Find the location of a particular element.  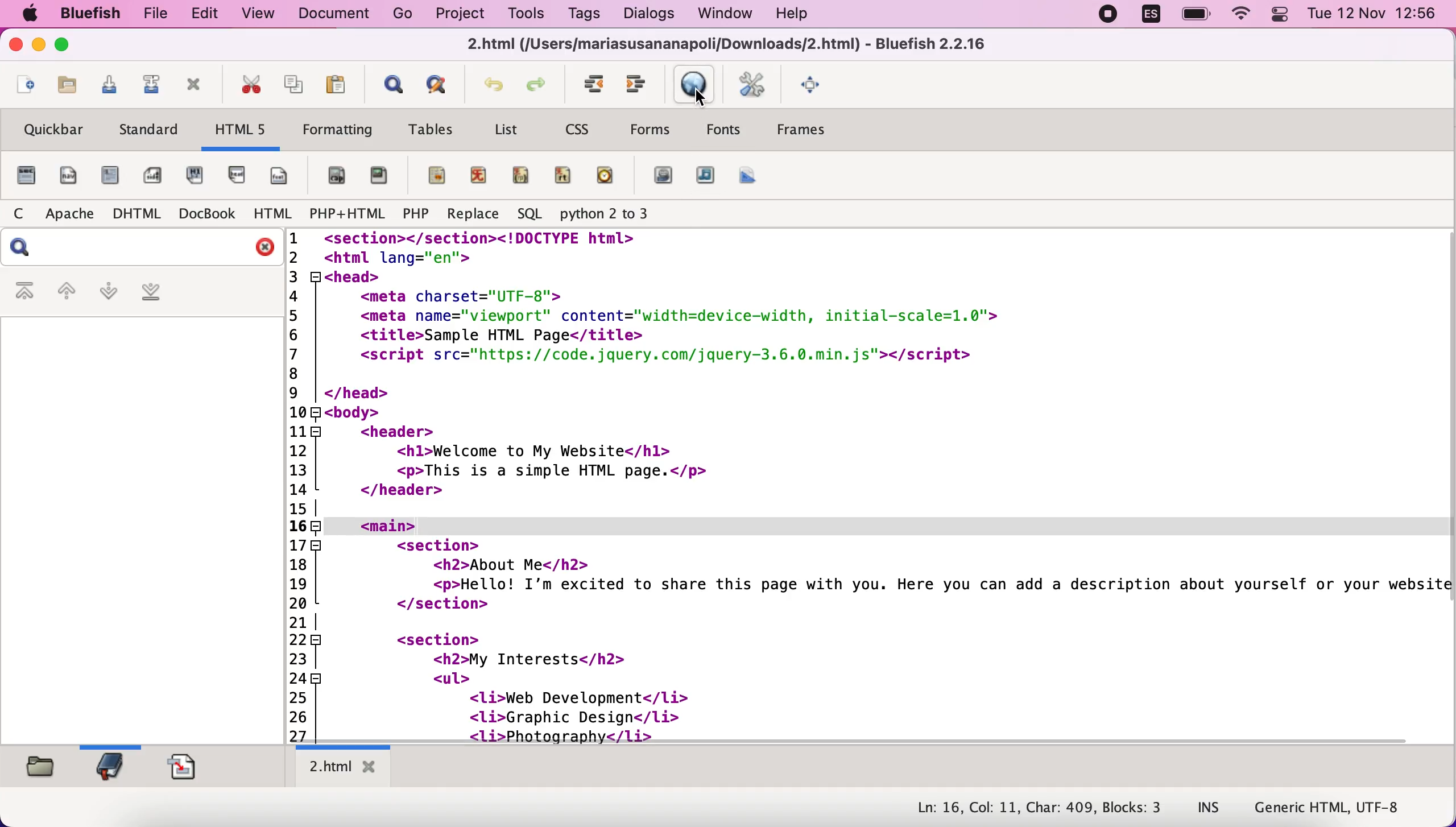

standard is located at coordinates (151, 133).